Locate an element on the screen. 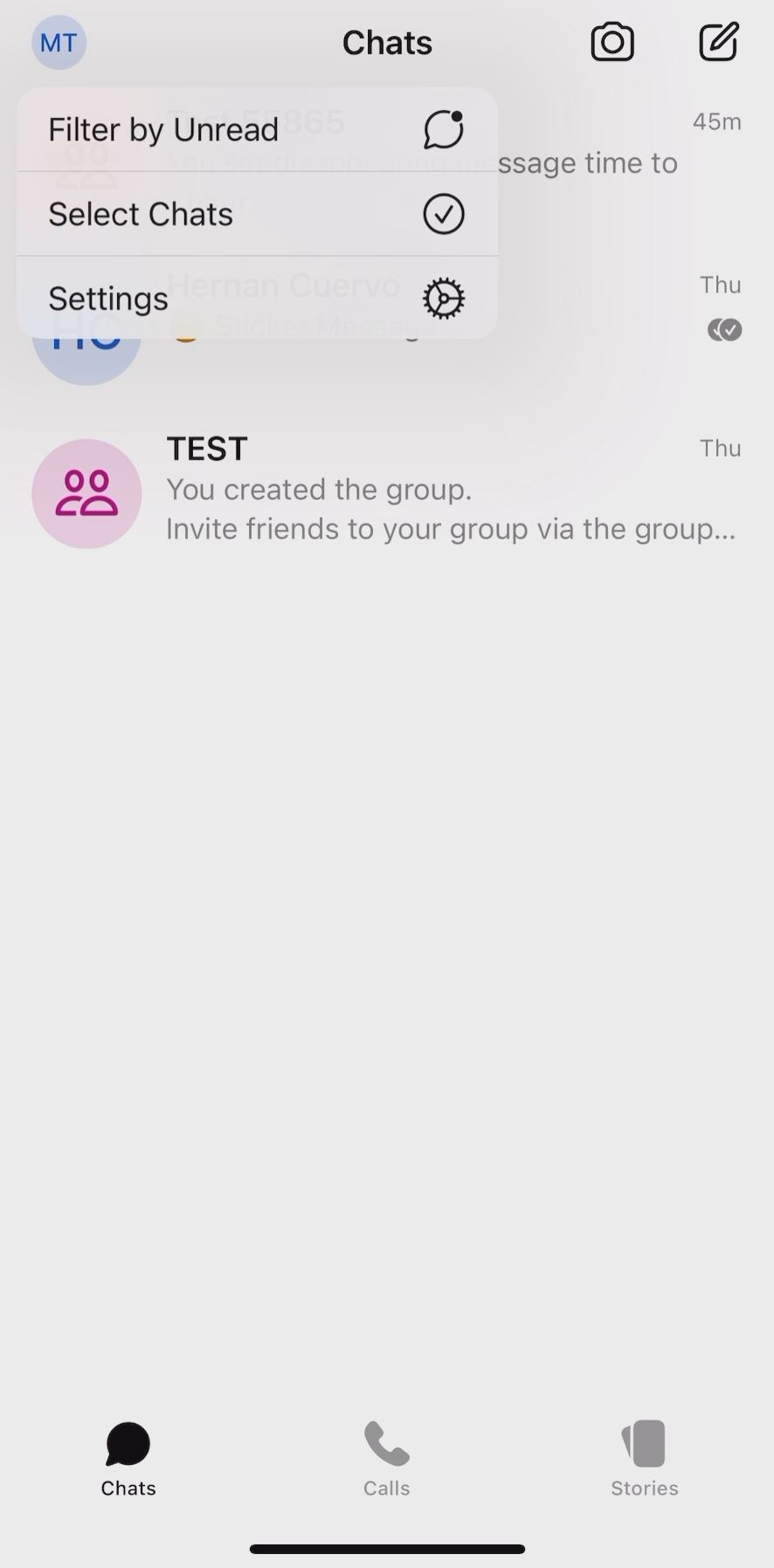 This screenshot has height=1568, width=774. settings  is located at coordinates (254, 294).